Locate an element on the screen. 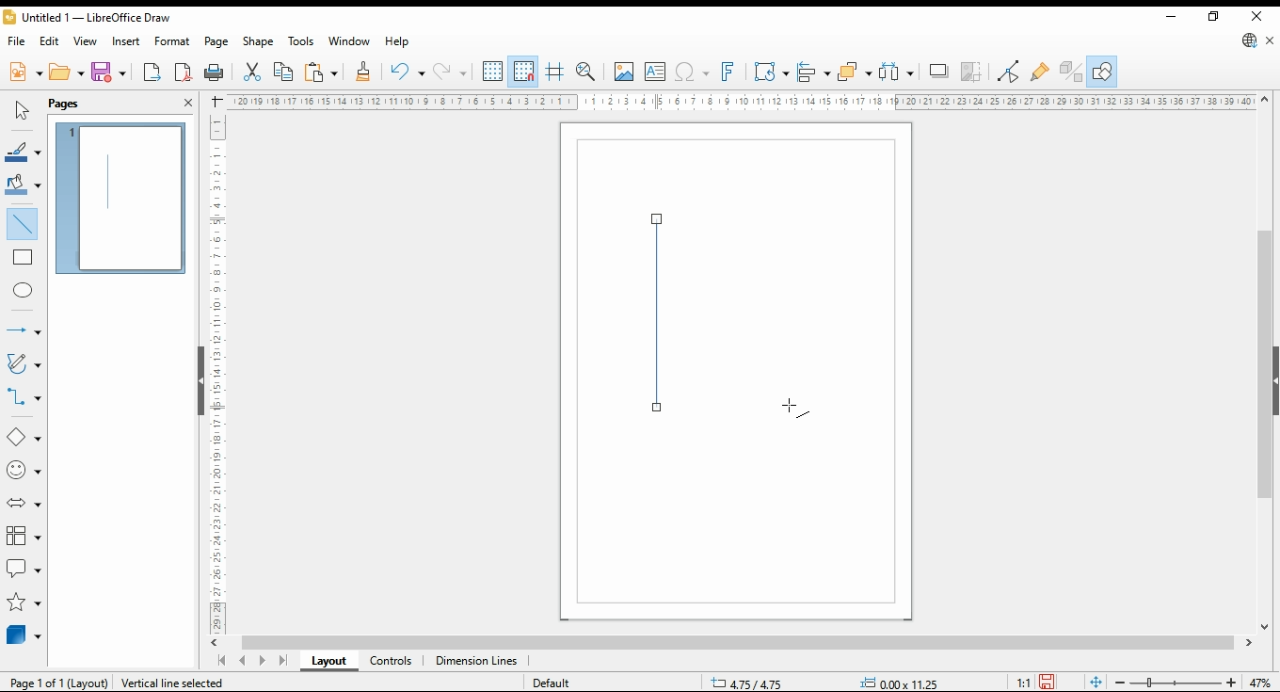 The width and height of the screenshot is (1280, 692). snap to grid is located at coordinates (523, 72).